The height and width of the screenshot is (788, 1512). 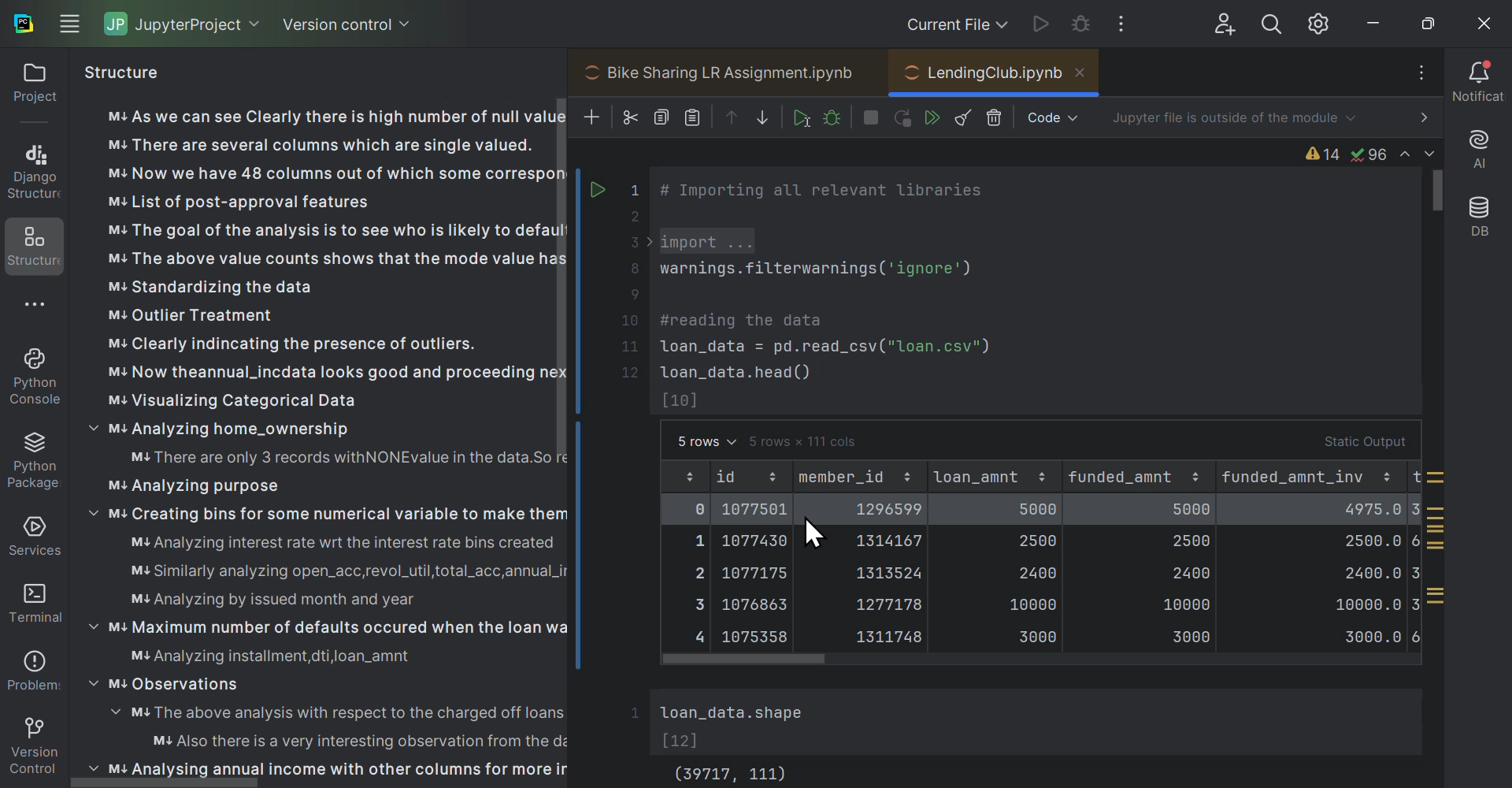 I want to click on More options of Windows, so click(x=1127, y=25).